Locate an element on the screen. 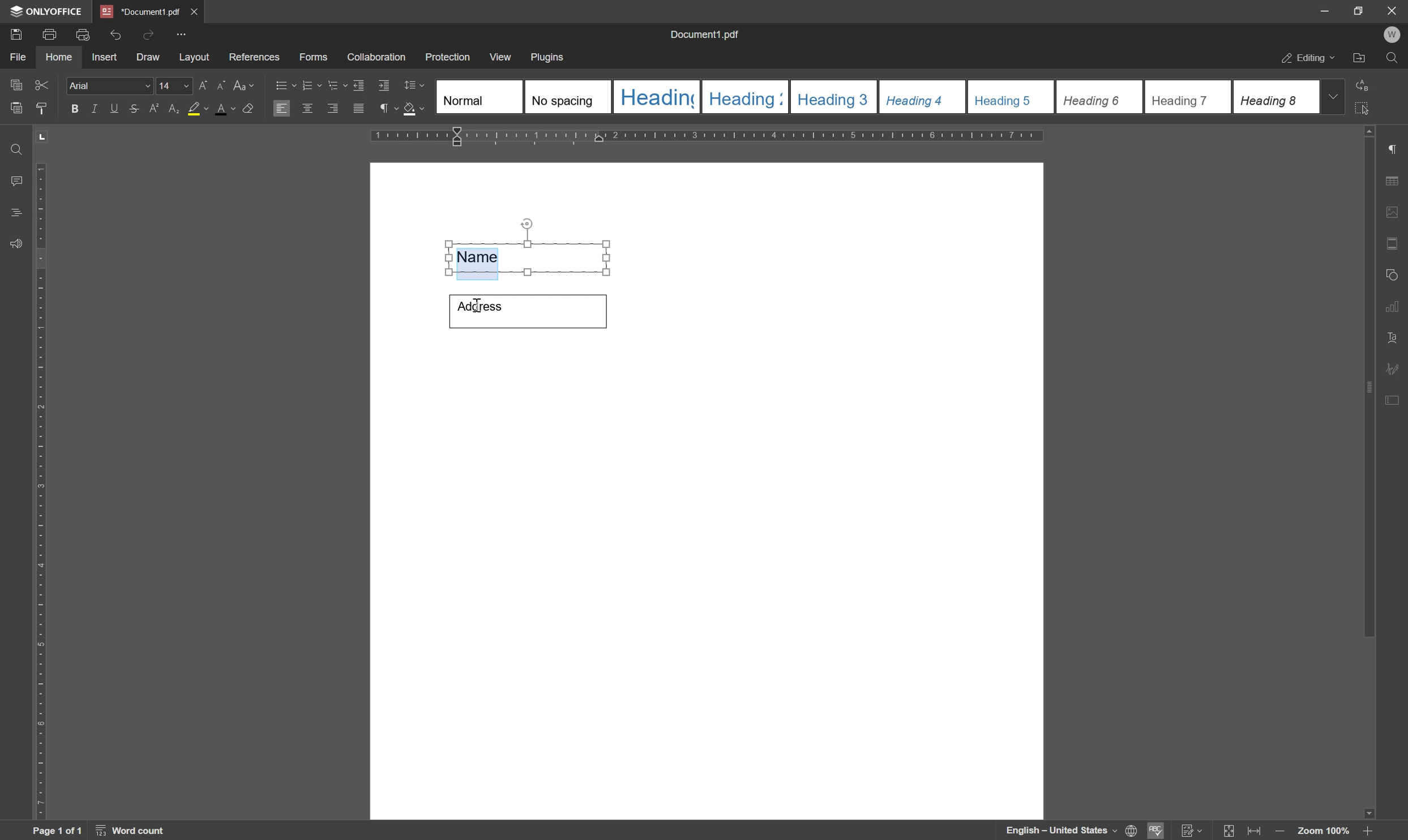 The width and height of the screenshot is (1408, 840). image settings is located at coordinates (1397, 215).